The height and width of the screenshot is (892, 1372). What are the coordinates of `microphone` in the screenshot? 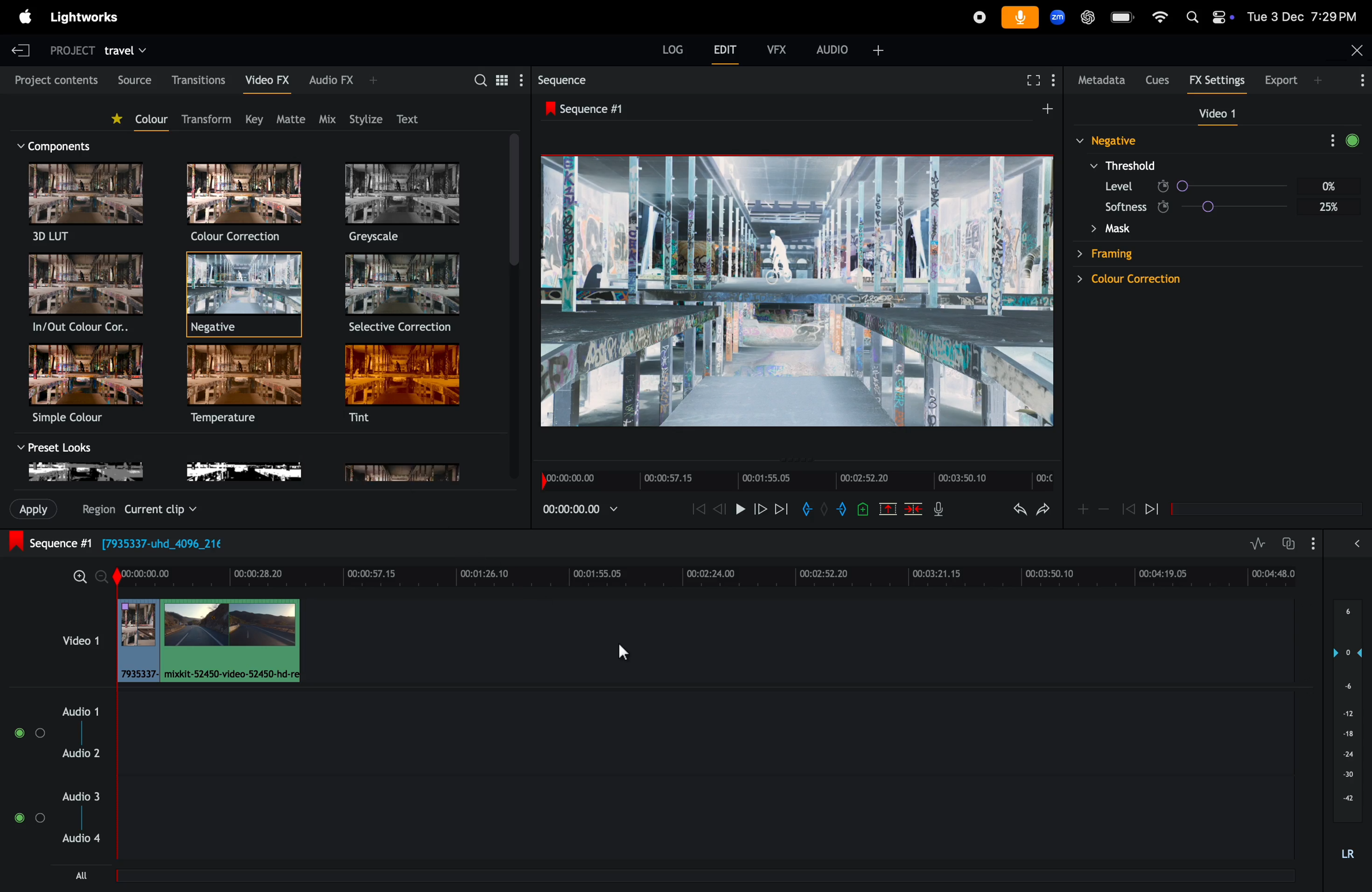 It's located at (1021, 18).